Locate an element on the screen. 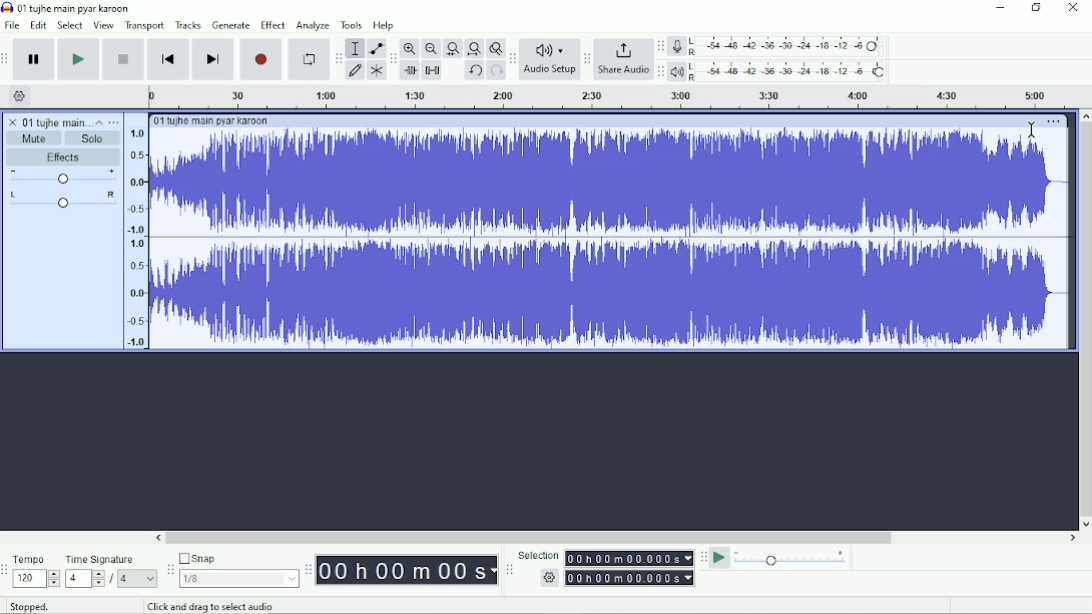 This screenshot has height=614, width=1092. Fit project to width is located at coordinates (474, 48).